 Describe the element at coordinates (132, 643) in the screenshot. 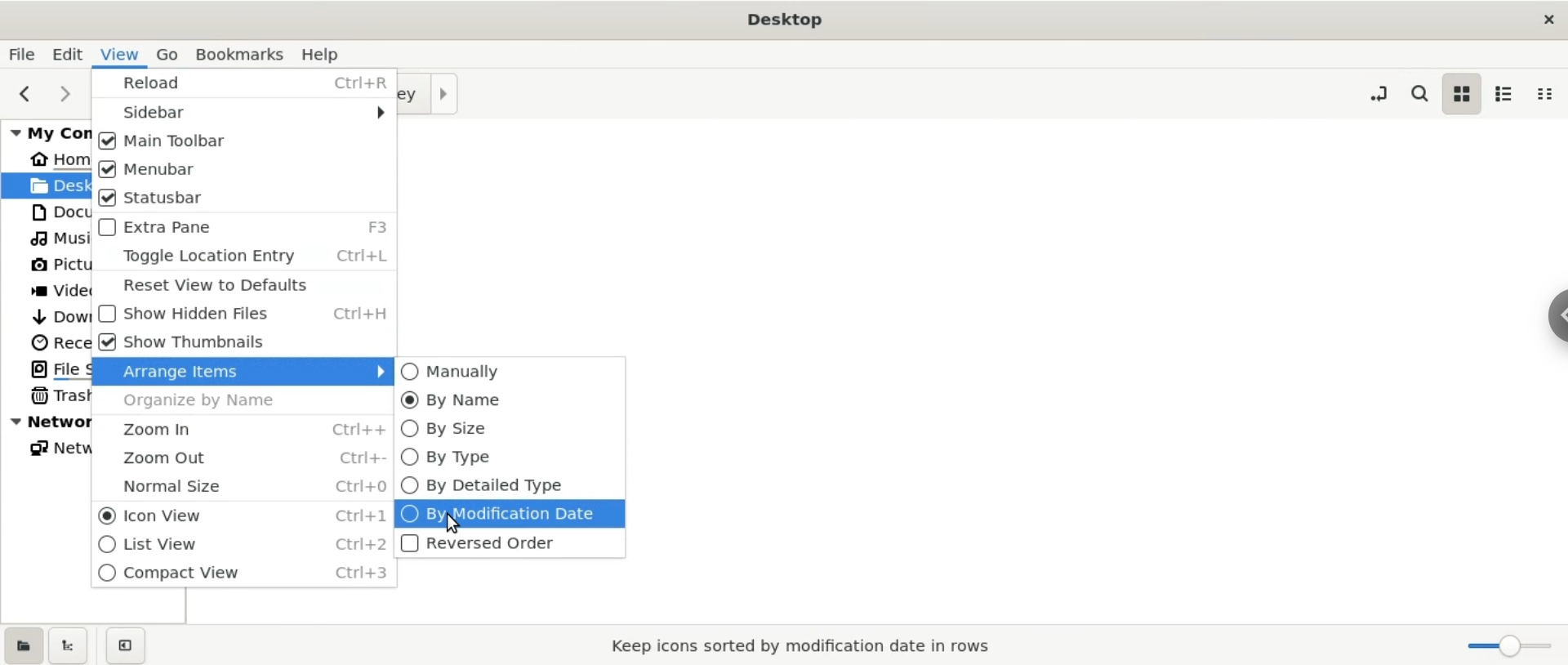

I see `close sidebar` at that location.